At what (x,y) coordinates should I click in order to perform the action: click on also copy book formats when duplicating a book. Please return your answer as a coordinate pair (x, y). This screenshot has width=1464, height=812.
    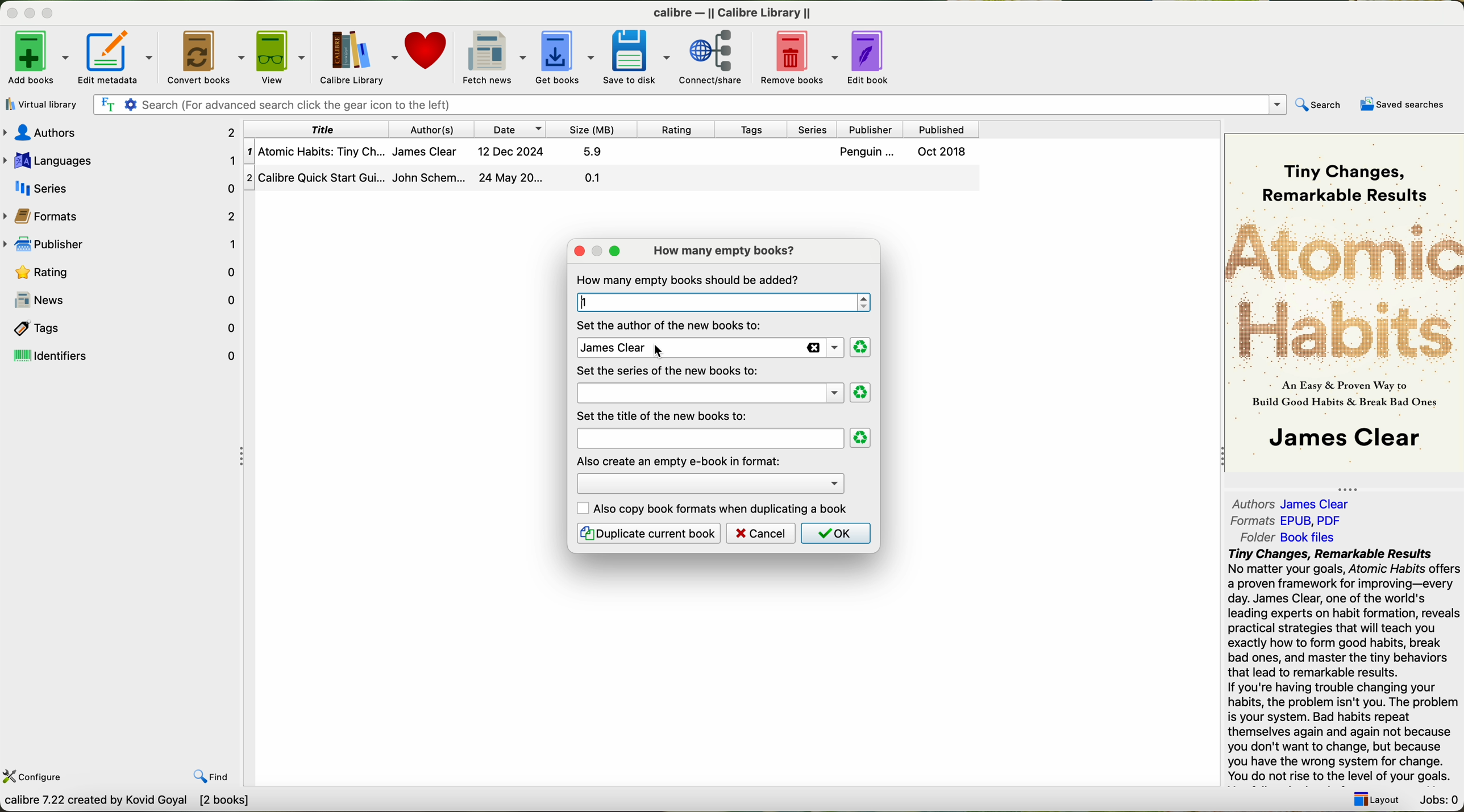
    Looking at the image, I should click on (714, 509).